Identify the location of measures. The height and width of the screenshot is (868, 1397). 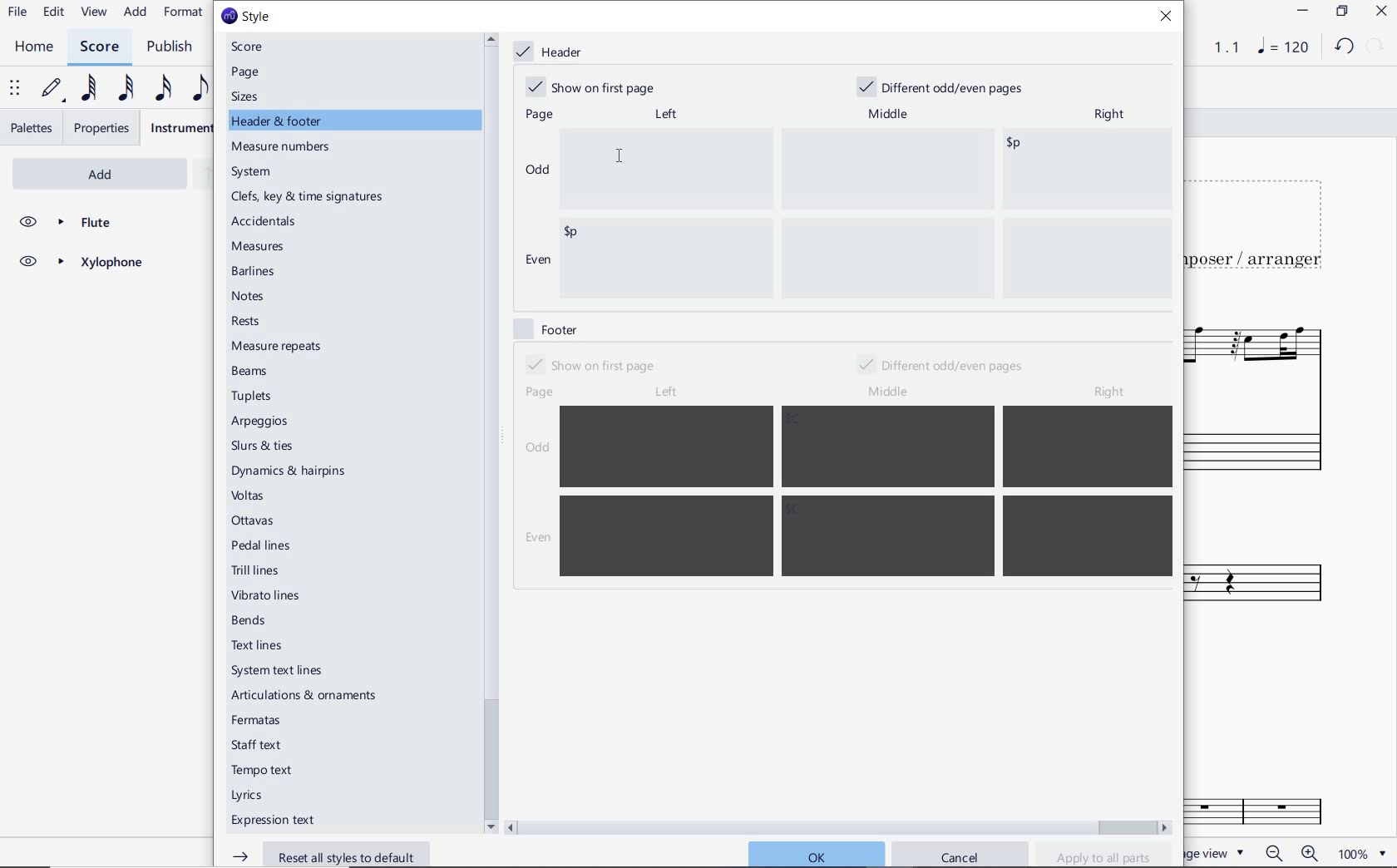
(260, 248).